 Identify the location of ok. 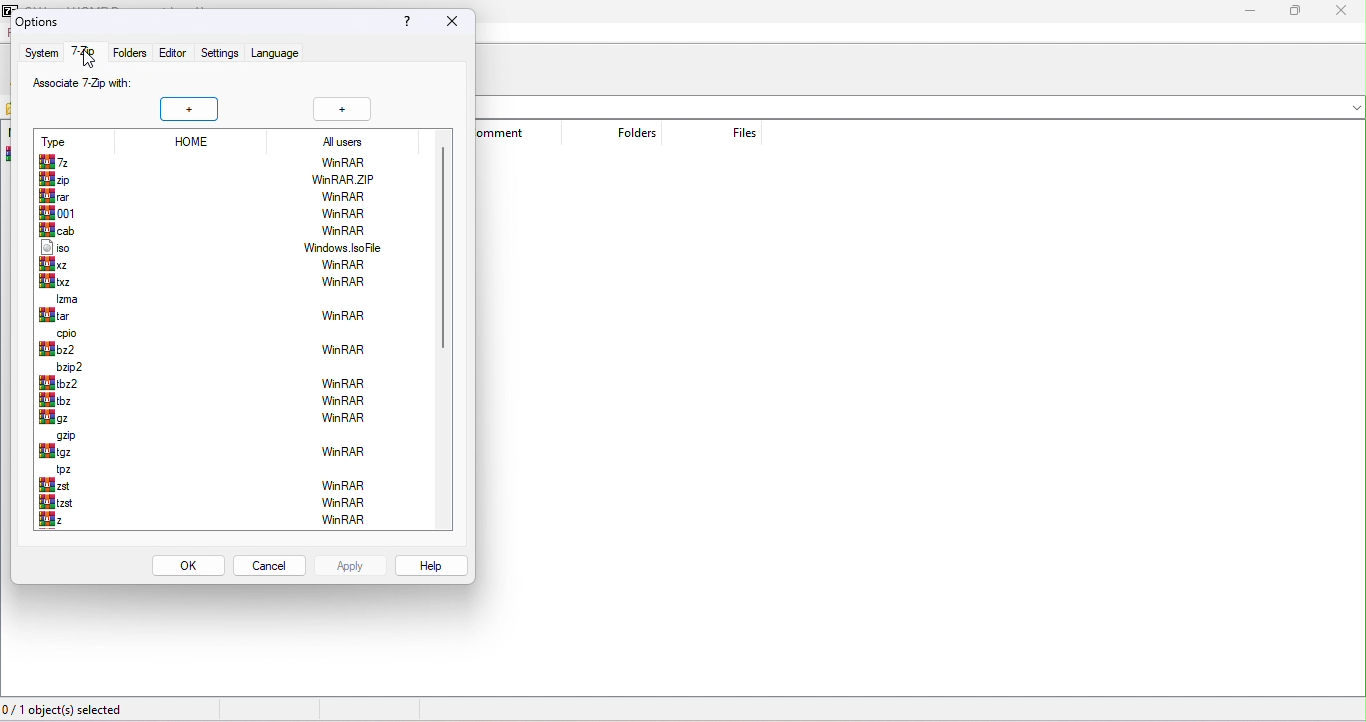
(188, 566).